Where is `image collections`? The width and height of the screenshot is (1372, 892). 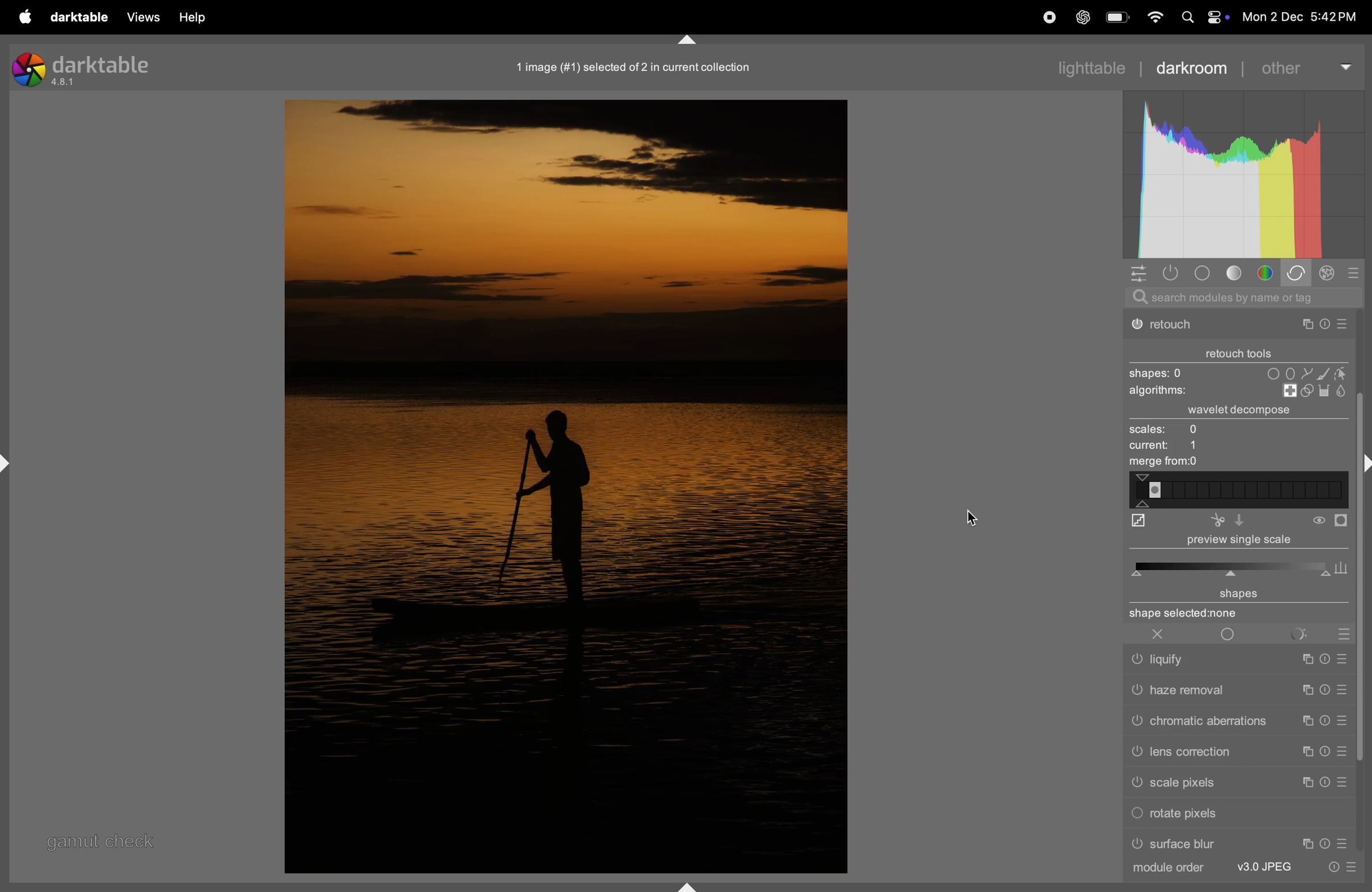
image collections is located at coordinates (642, 67).